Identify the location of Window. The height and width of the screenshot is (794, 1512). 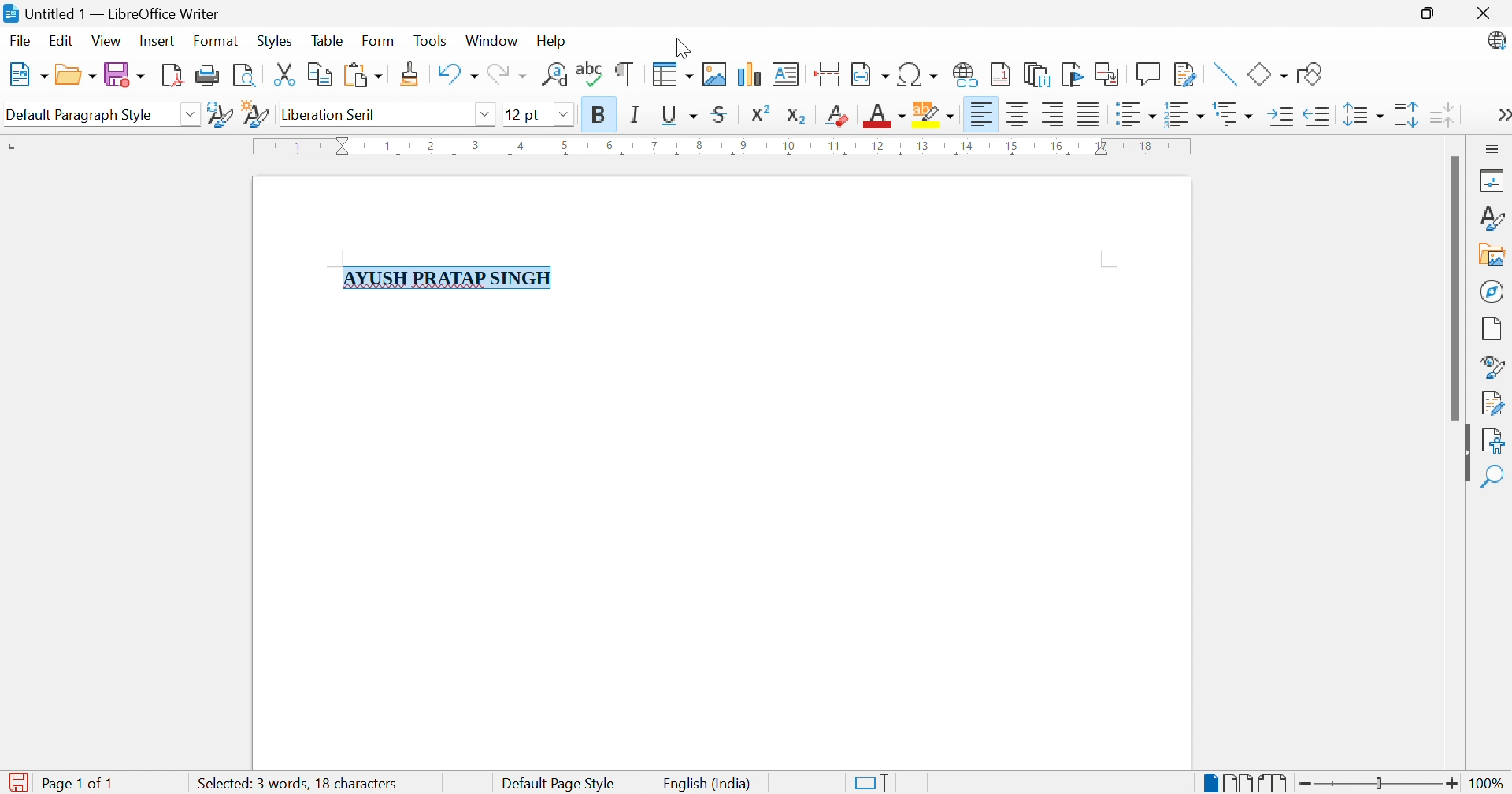
(491, 41).